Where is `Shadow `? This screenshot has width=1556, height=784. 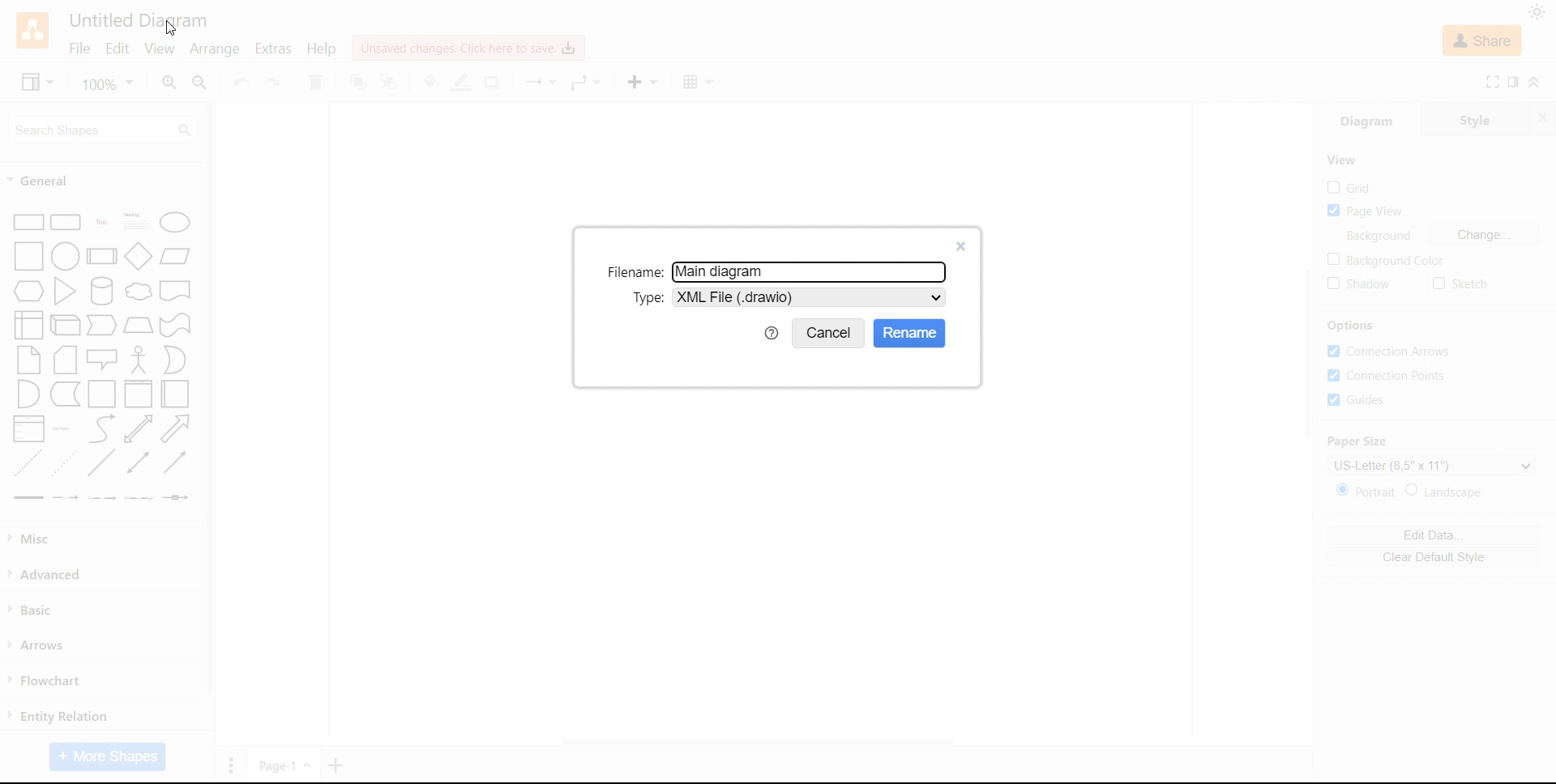 Shadow  is located at coordinates (1360, 284).